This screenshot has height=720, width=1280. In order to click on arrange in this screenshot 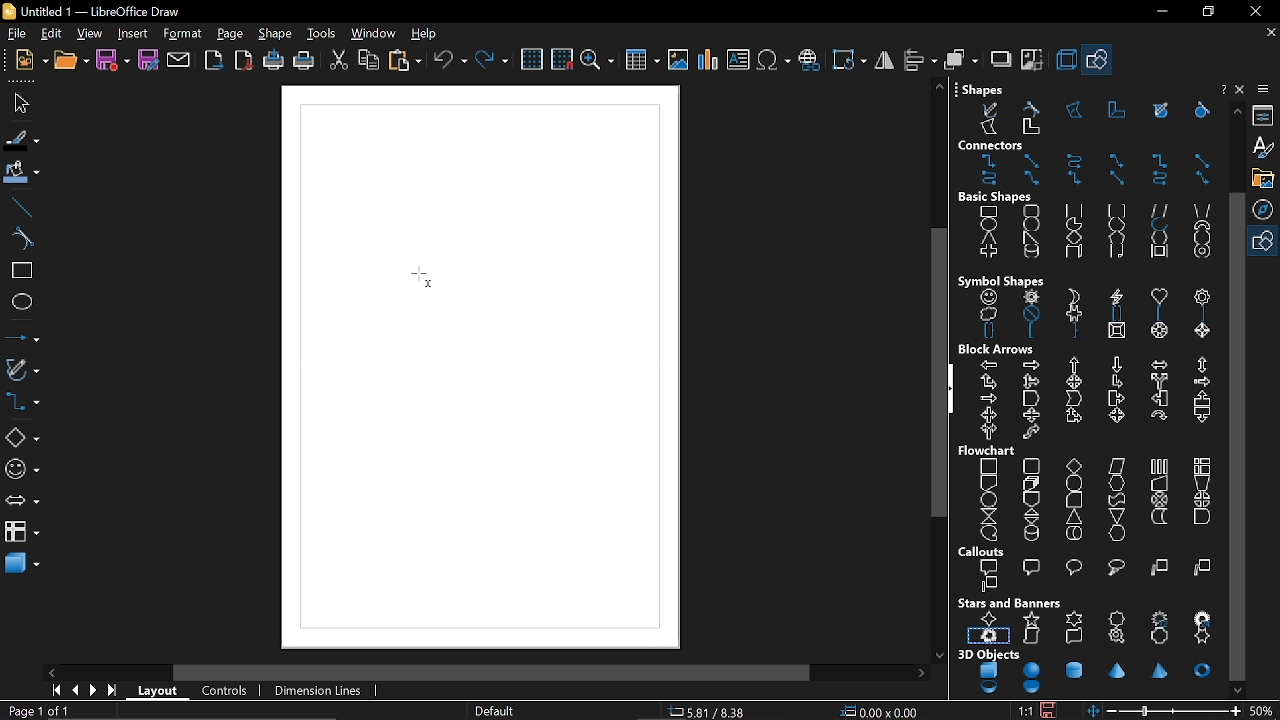, I will do `click(959, 60)`.